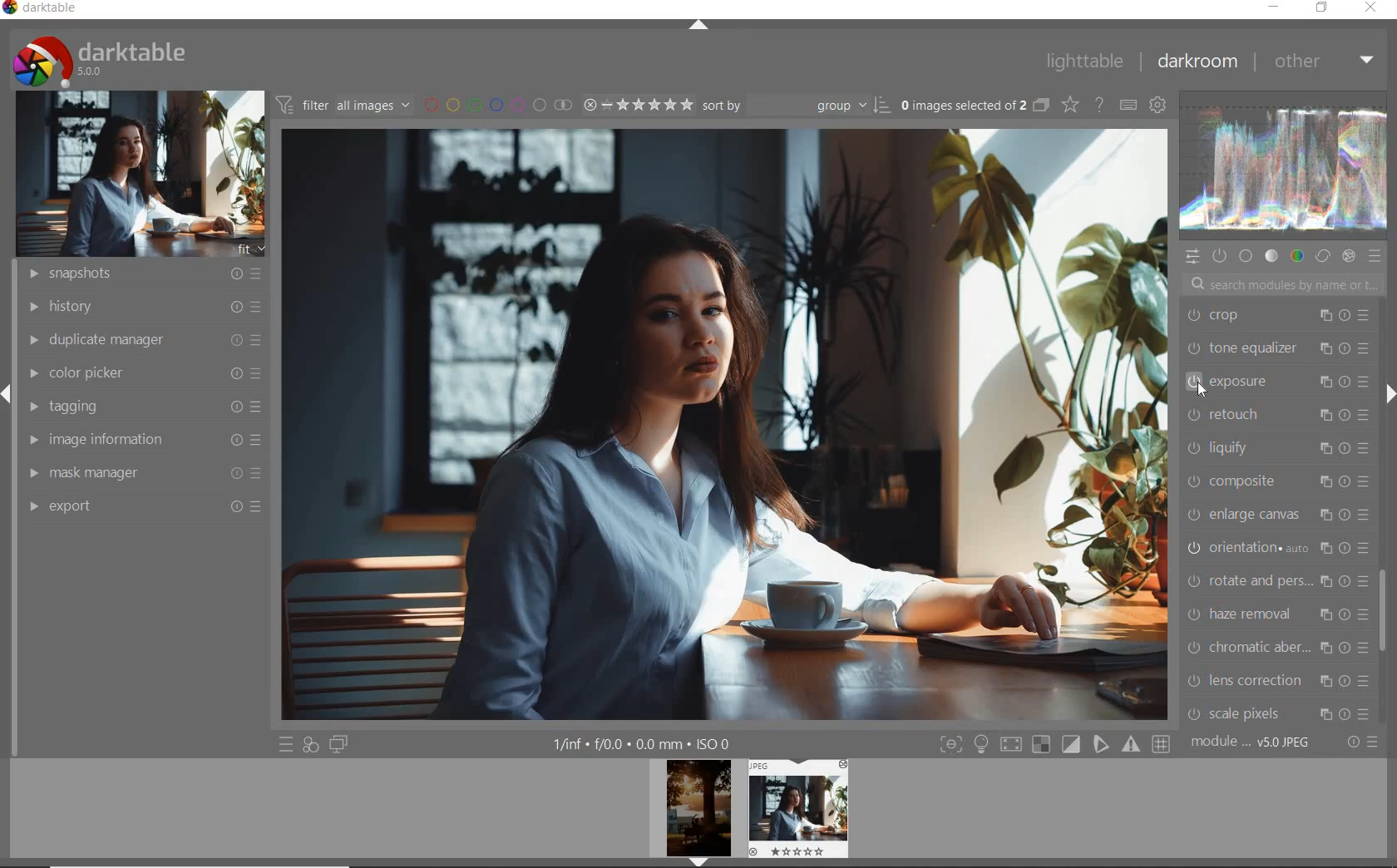 This screenshot has height=868, width=1397. What do you see at coordinates (146, 370) in the screenshot?
I see `COLOR PICKER` at bounding box center [146, 370].